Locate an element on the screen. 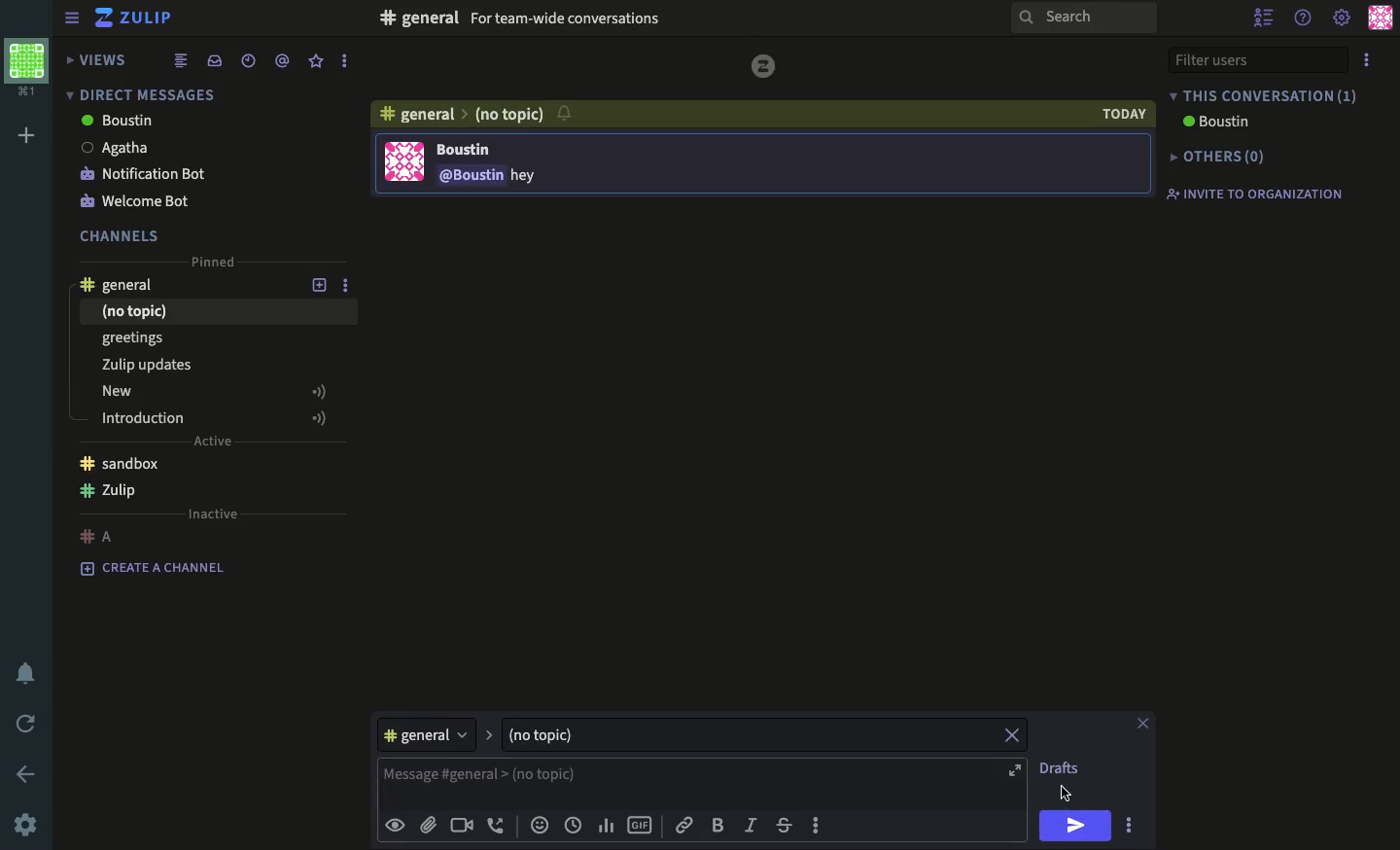  visible is located at coordinates (398, 825).